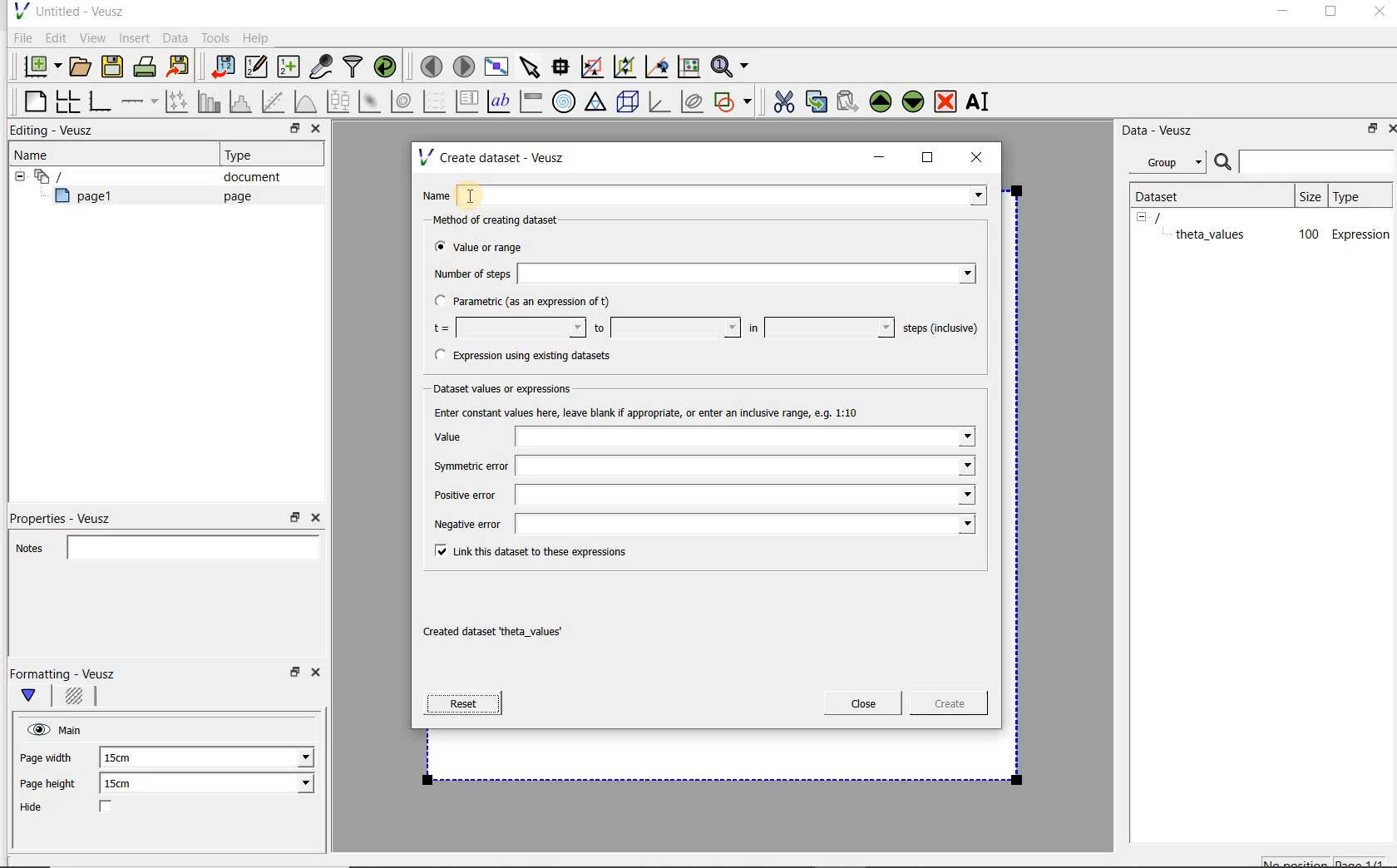  I want to click on click to reset graph axes, so click(689, 66).